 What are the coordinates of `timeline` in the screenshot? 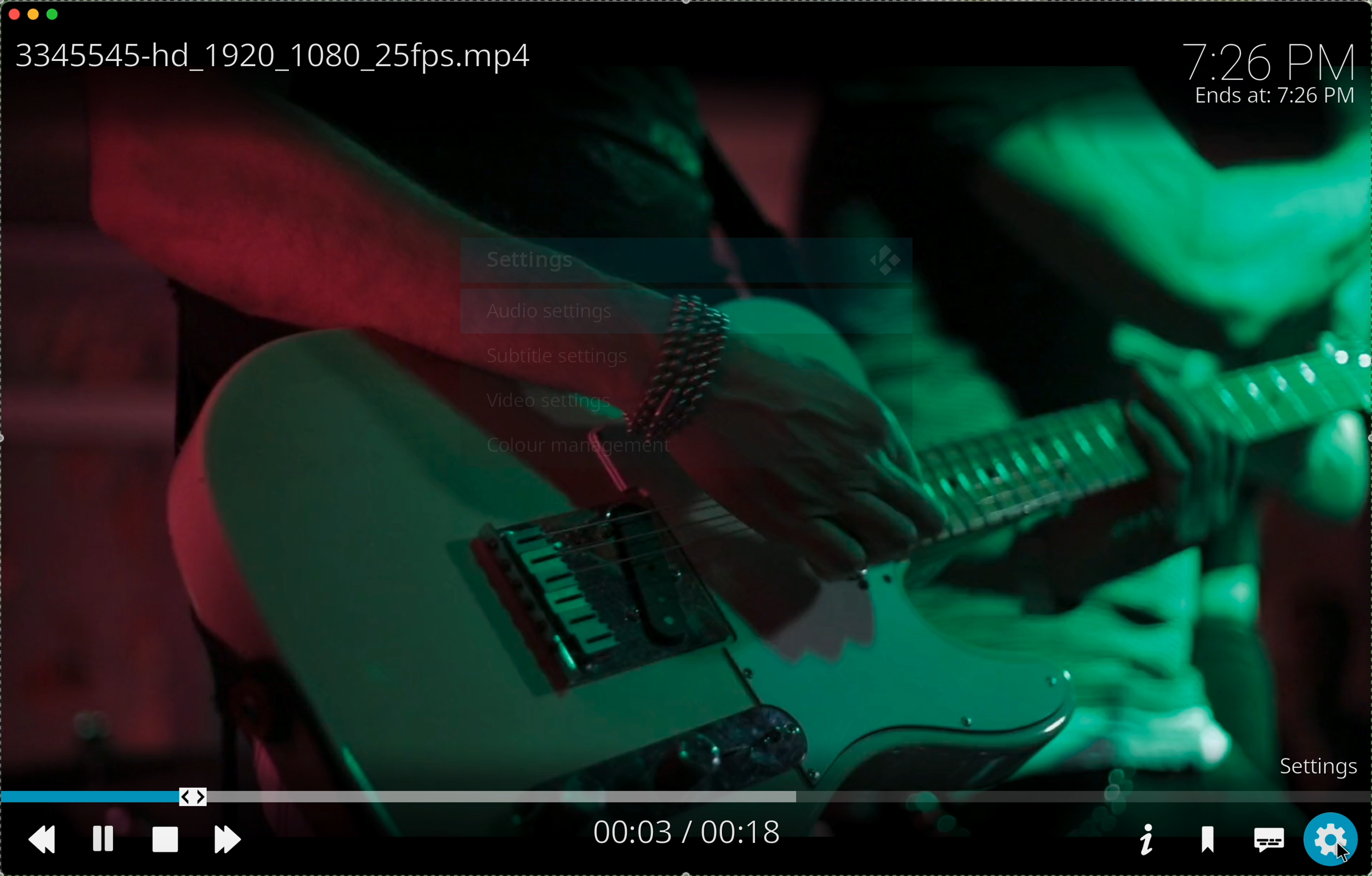 It's located at (686, 799).